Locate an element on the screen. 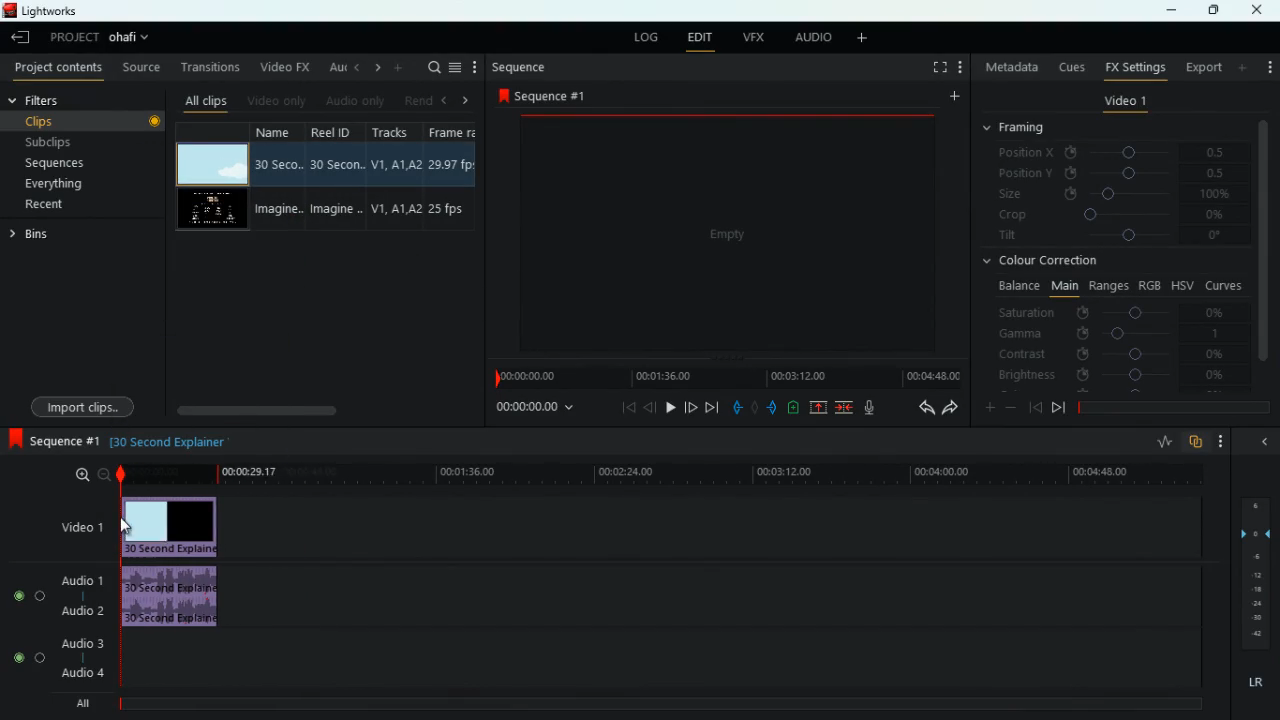 This screenshot has height=720, width=1280. add is located at coordinates (859, 39).